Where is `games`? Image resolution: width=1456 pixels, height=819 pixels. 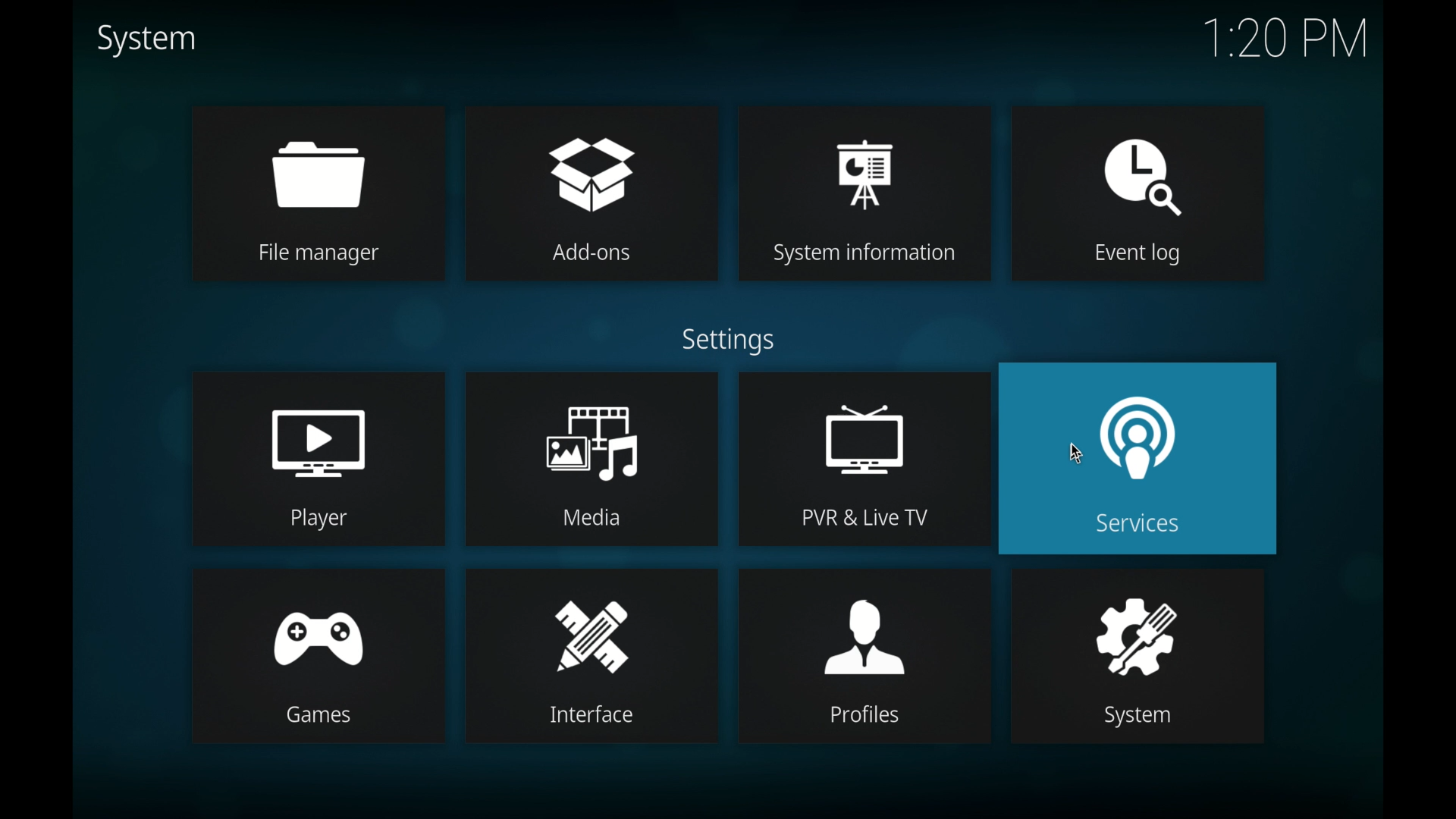
games is located at coordinates (318, 654).